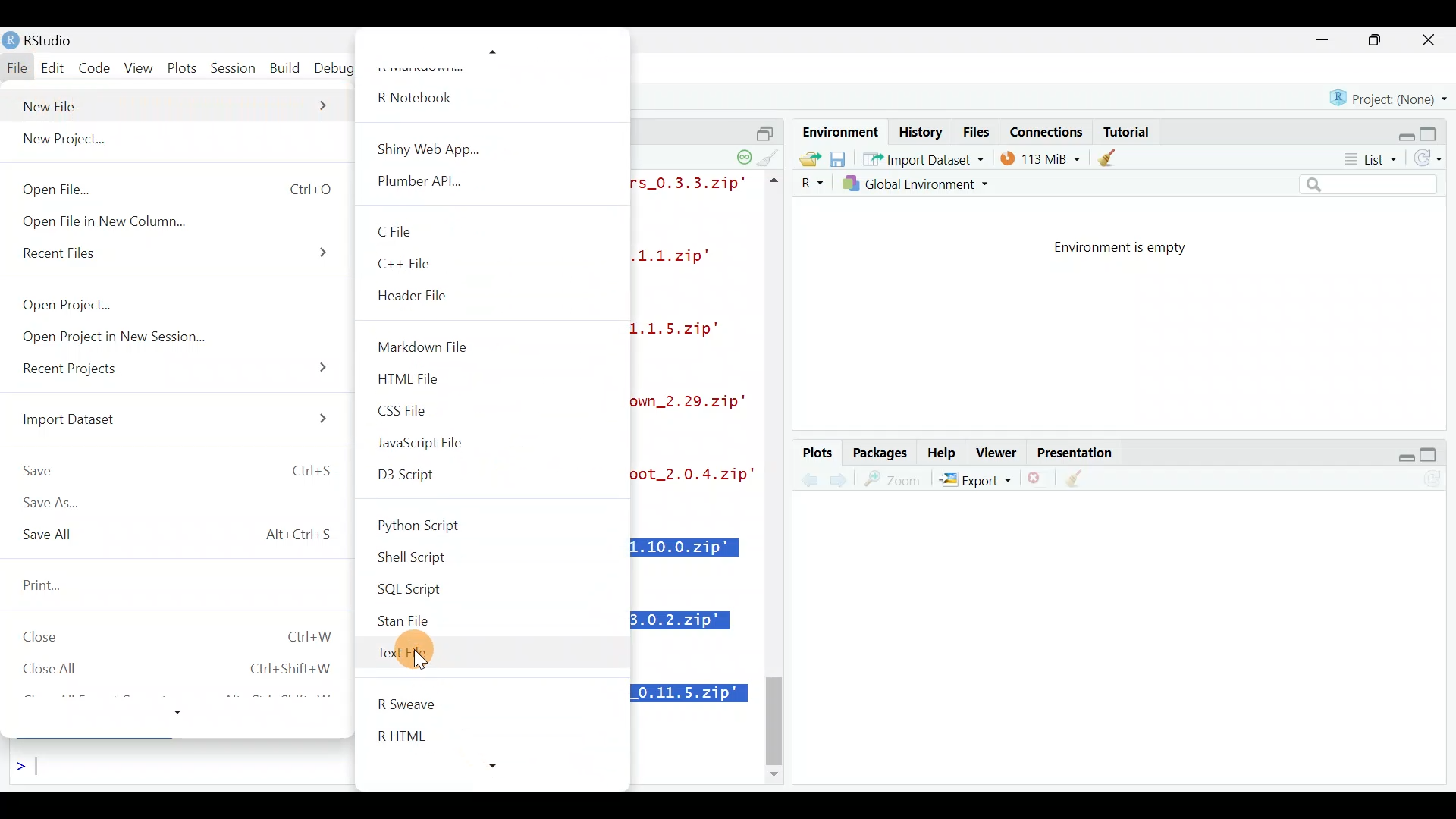 The image size is (1456, 819). Describe the element at coordinates (140, 67) in the screenshot. I see `View` at that location.